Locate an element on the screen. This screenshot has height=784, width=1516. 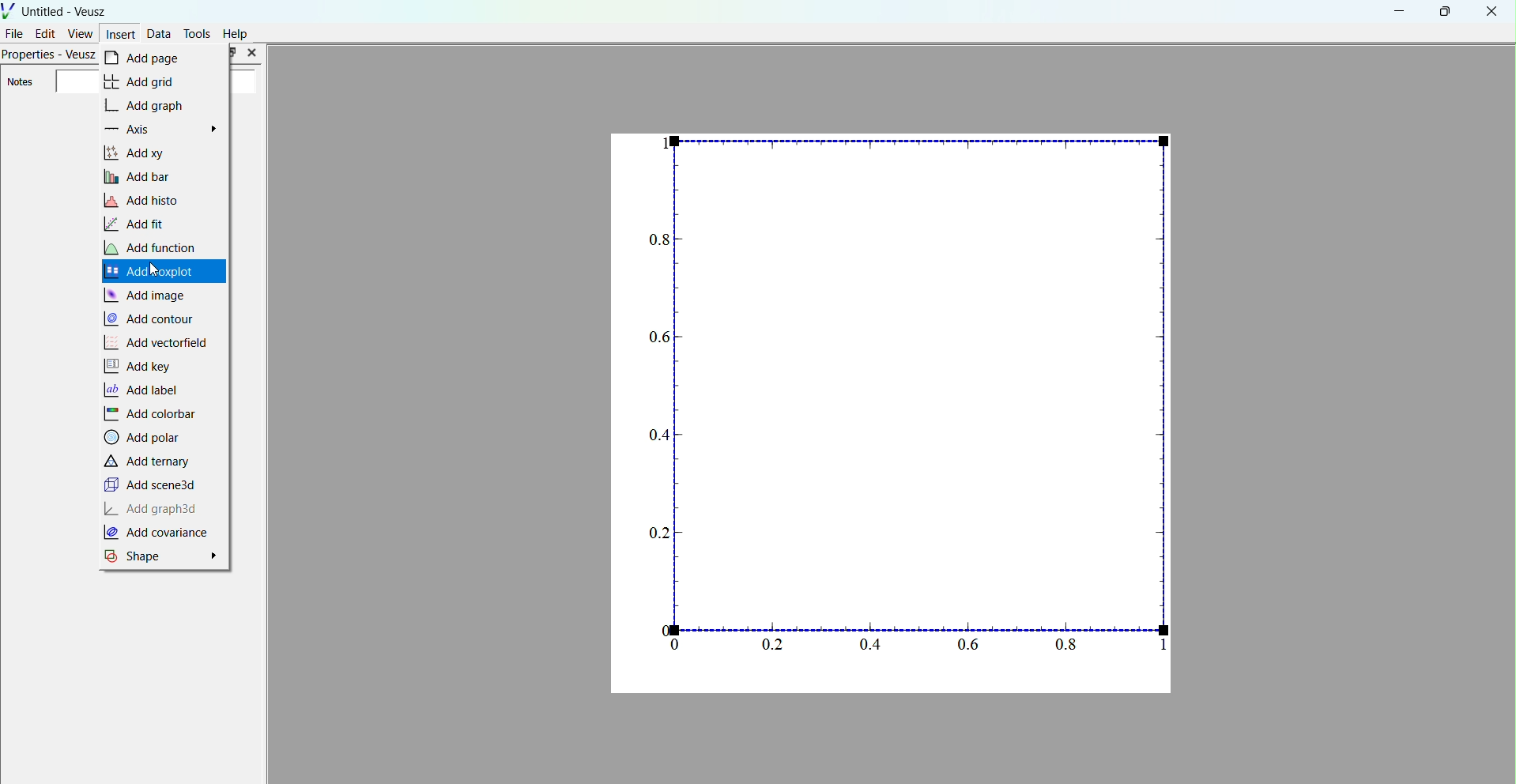
Notes is located at coordinates (20, 82).